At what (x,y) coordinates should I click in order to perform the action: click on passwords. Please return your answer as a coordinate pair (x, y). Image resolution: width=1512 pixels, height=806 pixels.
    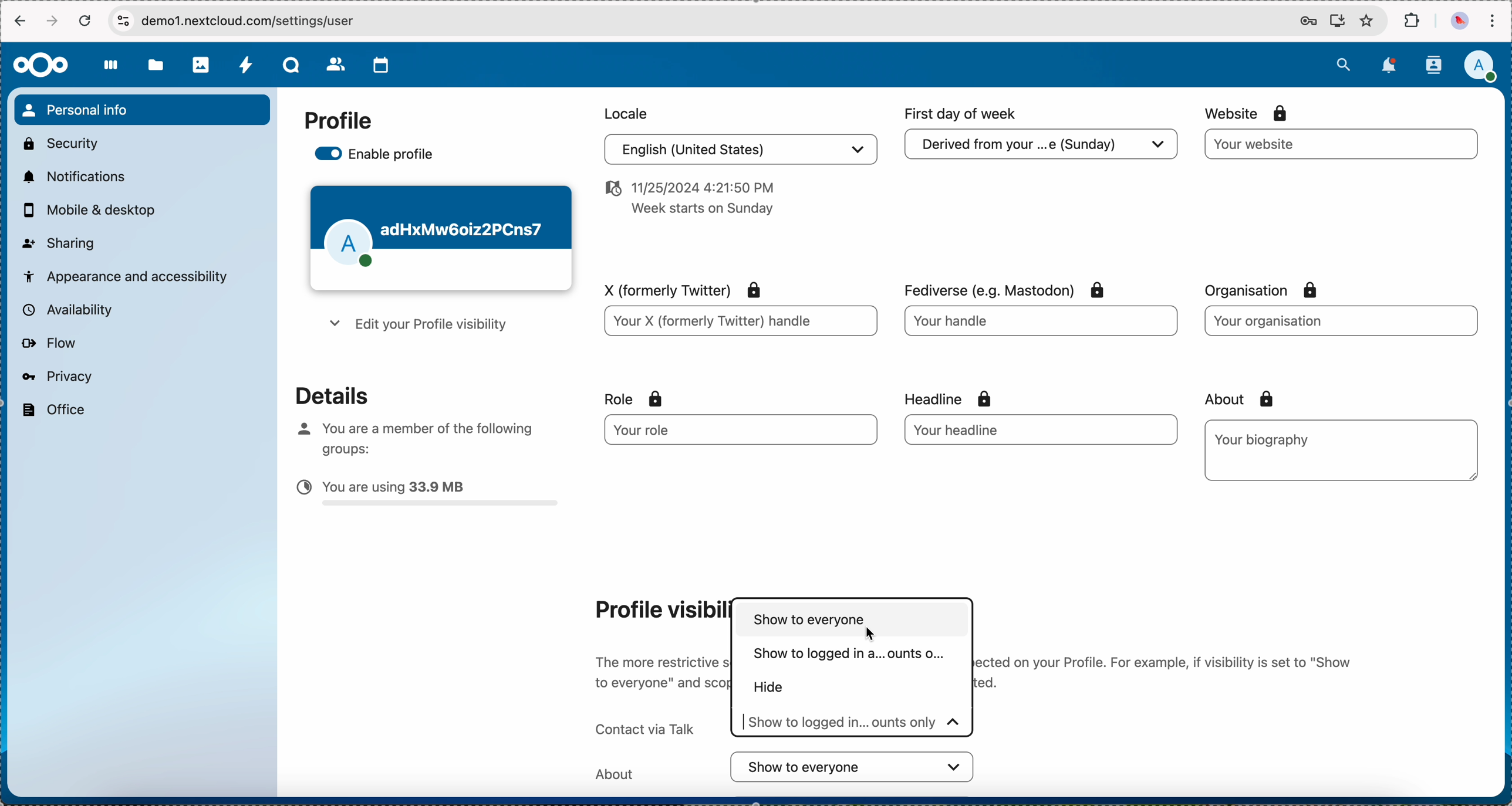
    Looking at the image, I should click on (1305, 22).